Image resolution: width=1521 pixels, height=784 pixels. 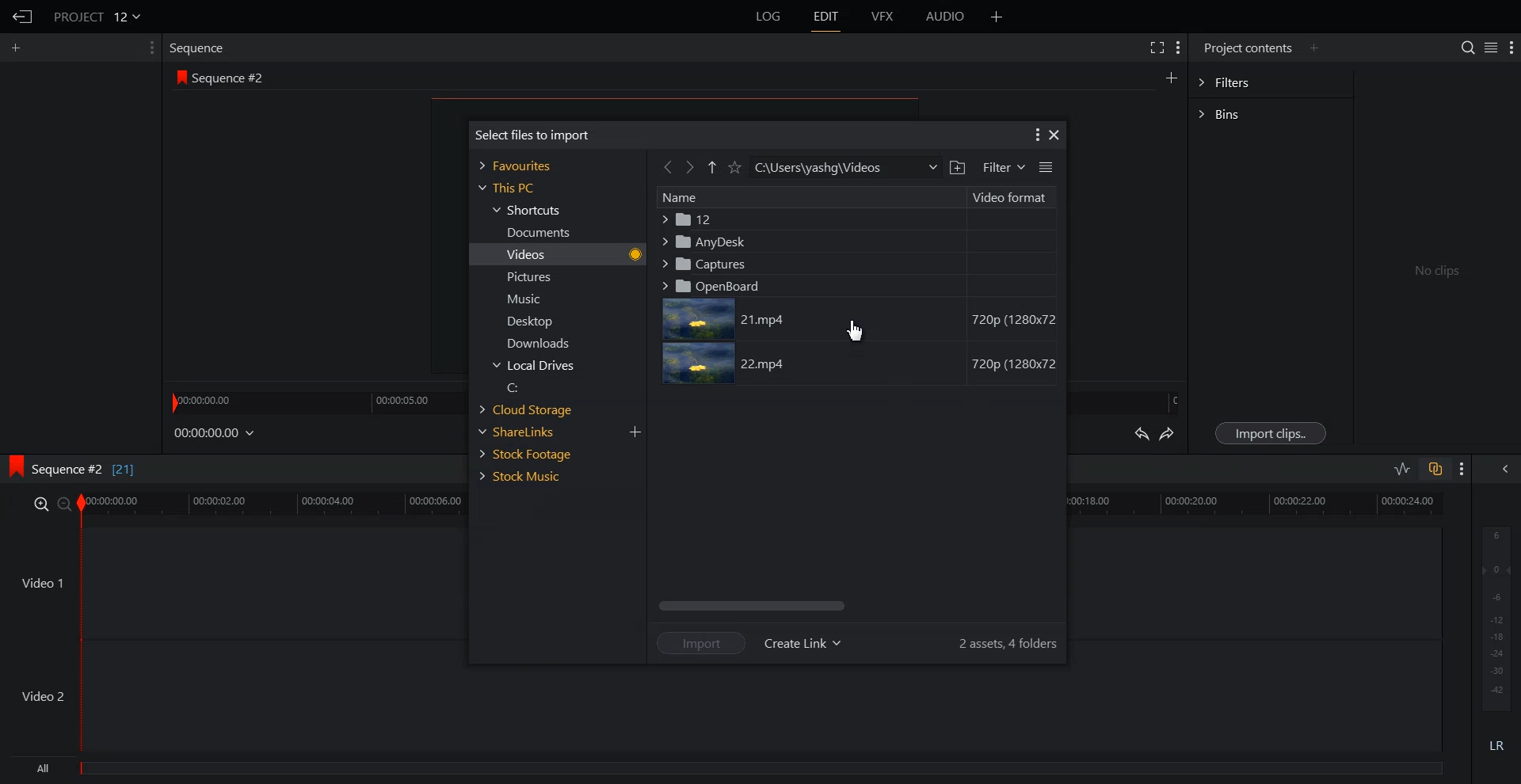 What do you see at coordinates (536, 299) in the screenshot?
I see `Music` at bounding box center [536, 299].